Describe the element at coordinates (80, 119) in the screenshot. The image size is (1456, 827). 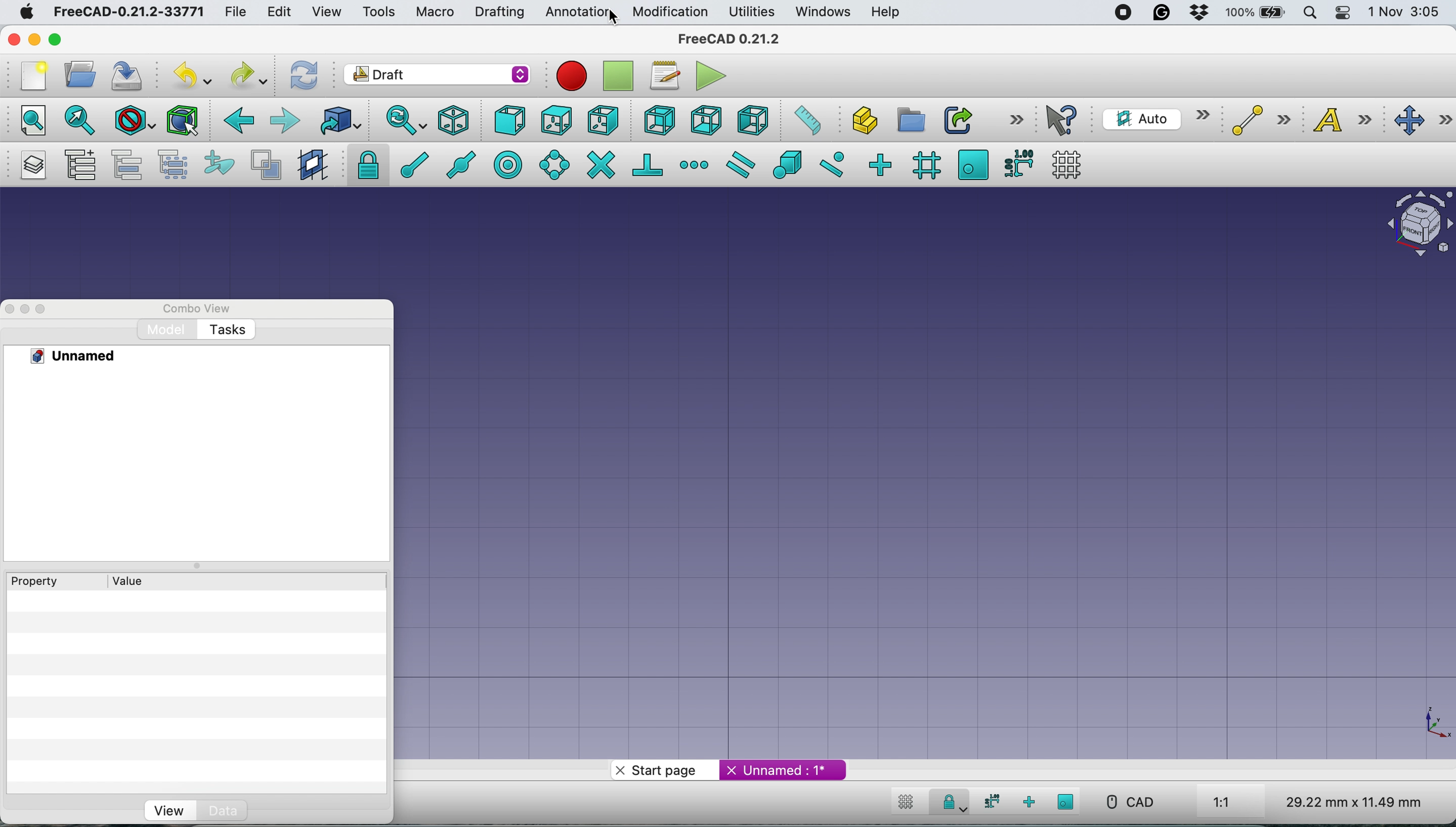
I see `fit selection` at that location.